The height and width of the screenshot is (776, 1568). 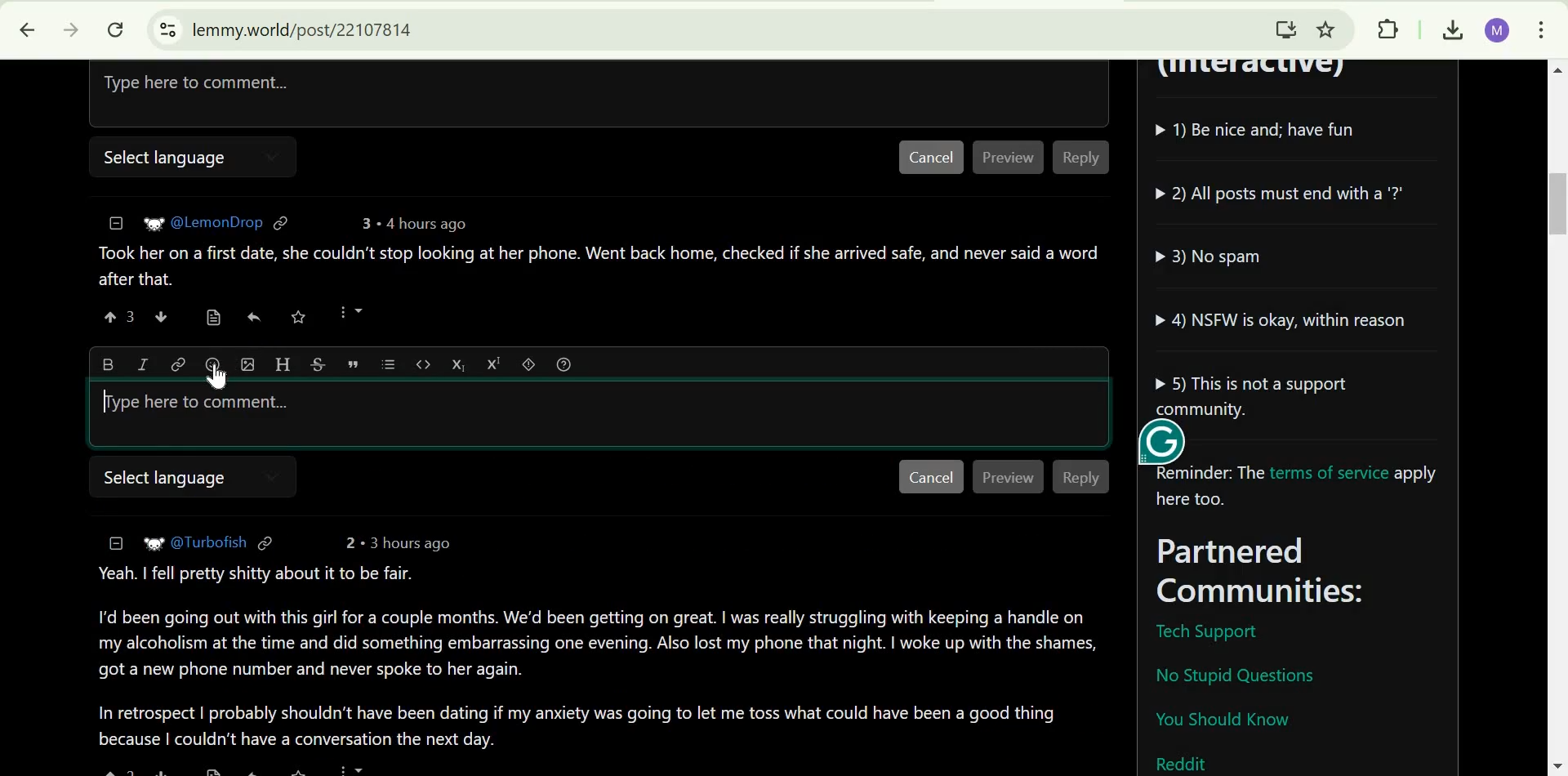 I want to click on downvote, so click(x=160, y=317).